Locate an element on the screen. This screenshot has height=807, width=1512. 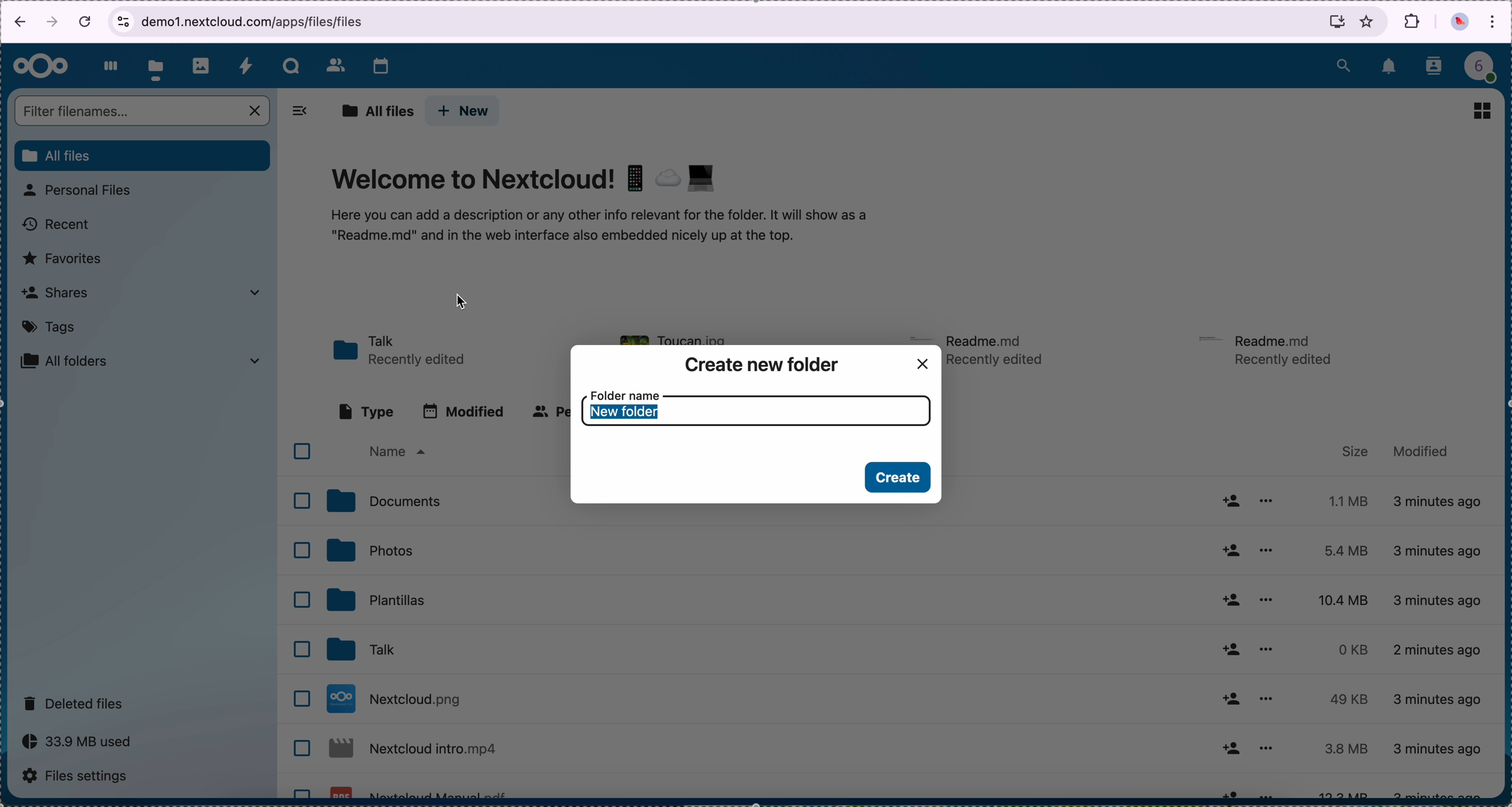
all folders is located at coordinates (141, 361).